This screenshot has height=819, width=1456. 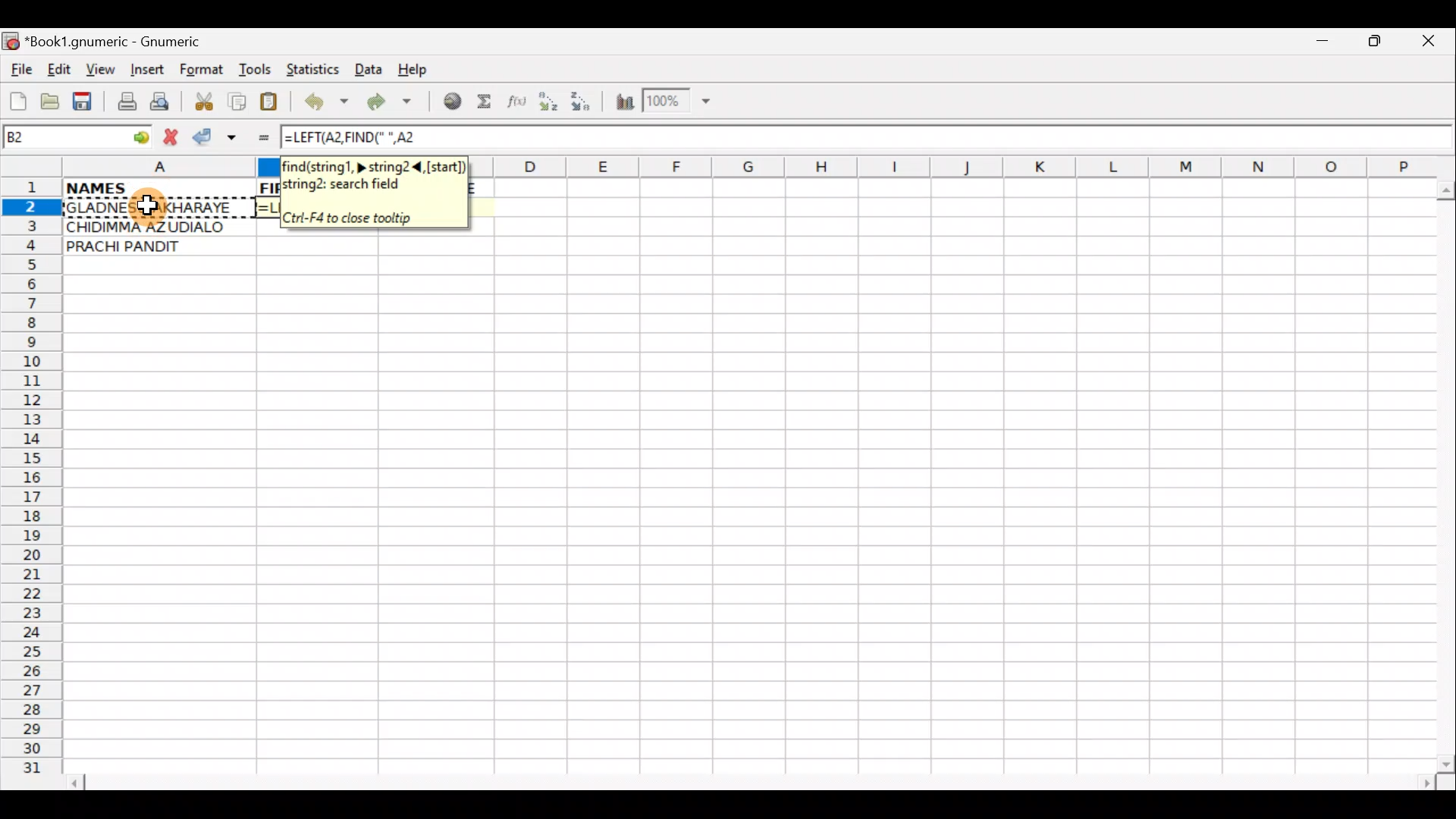 What do you see at coordinates (946, 140) in the screenshot?
I see `Formula bar` at bounding box center [946, 140].